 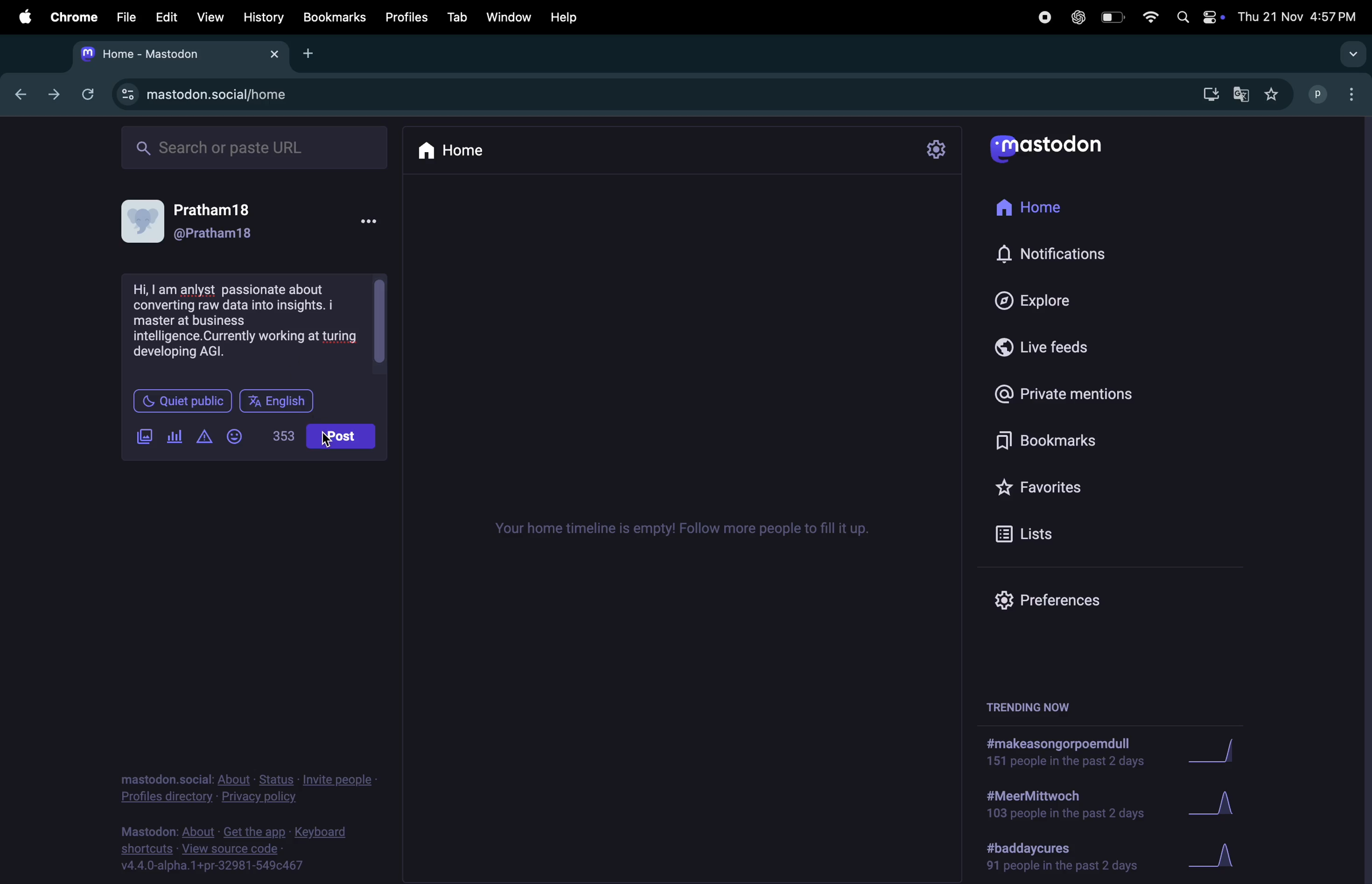 I want to click on search tabs, so click(x=1351, y=54).